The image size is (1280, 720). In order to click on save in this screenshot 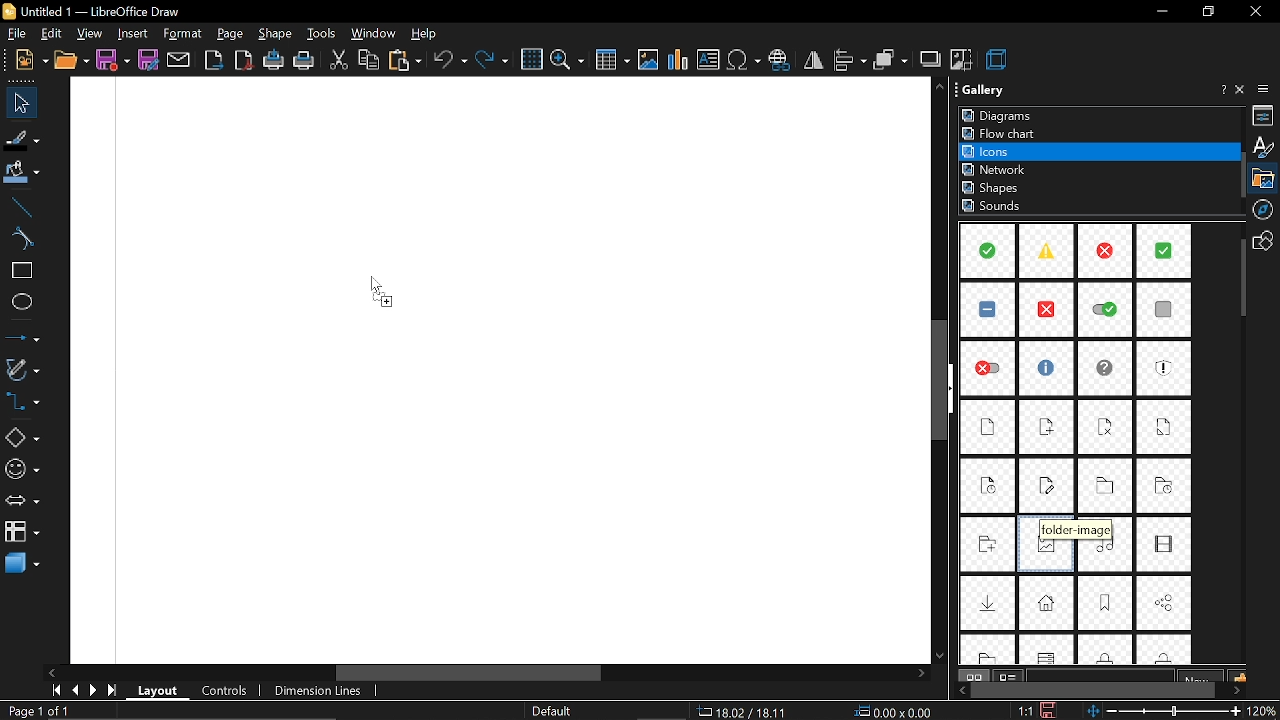, I will do `click(1049, 710)`.